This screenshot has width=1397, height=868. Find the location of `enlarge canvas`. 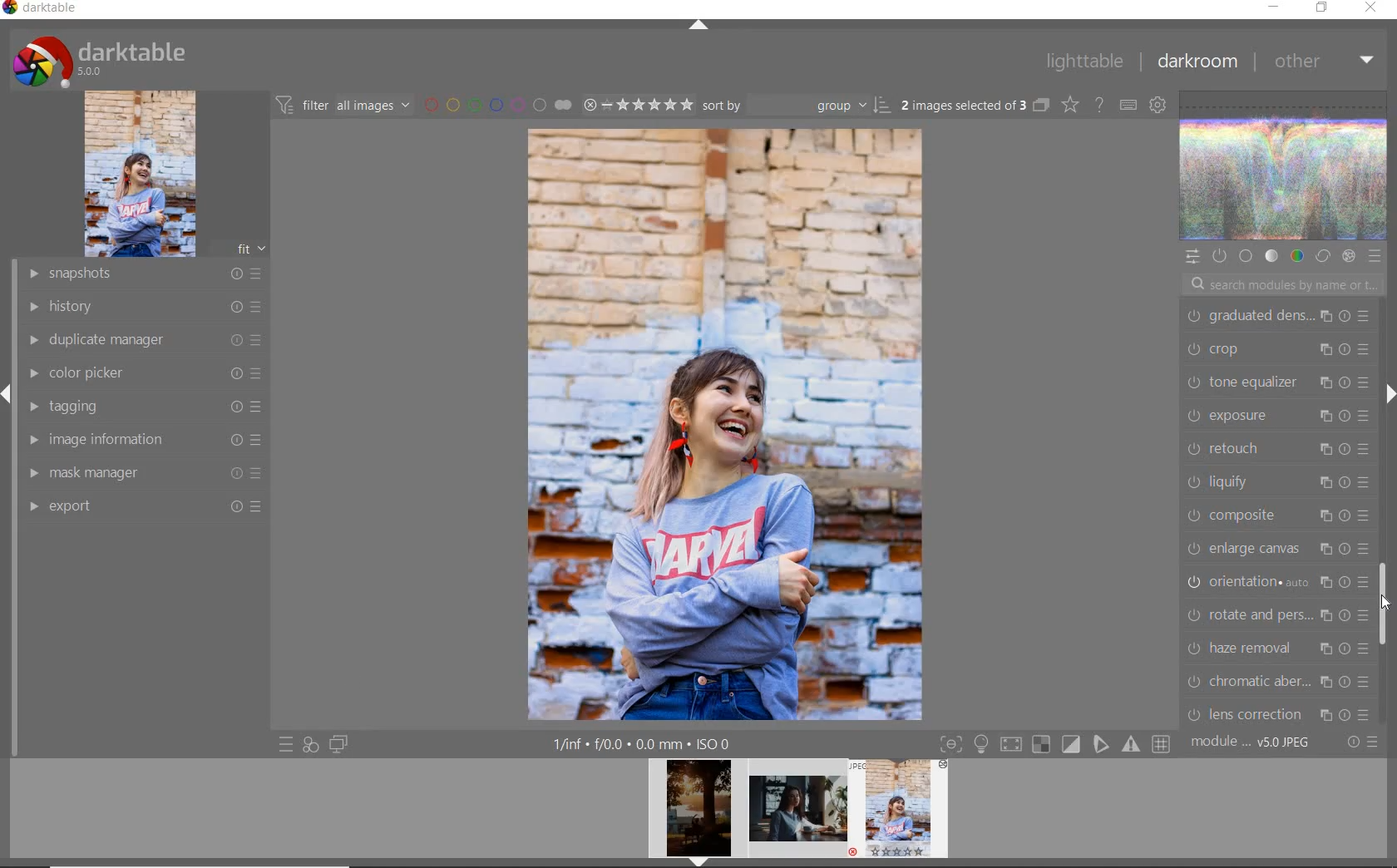

enlarge canvas is located at coordinates (1277, 550).